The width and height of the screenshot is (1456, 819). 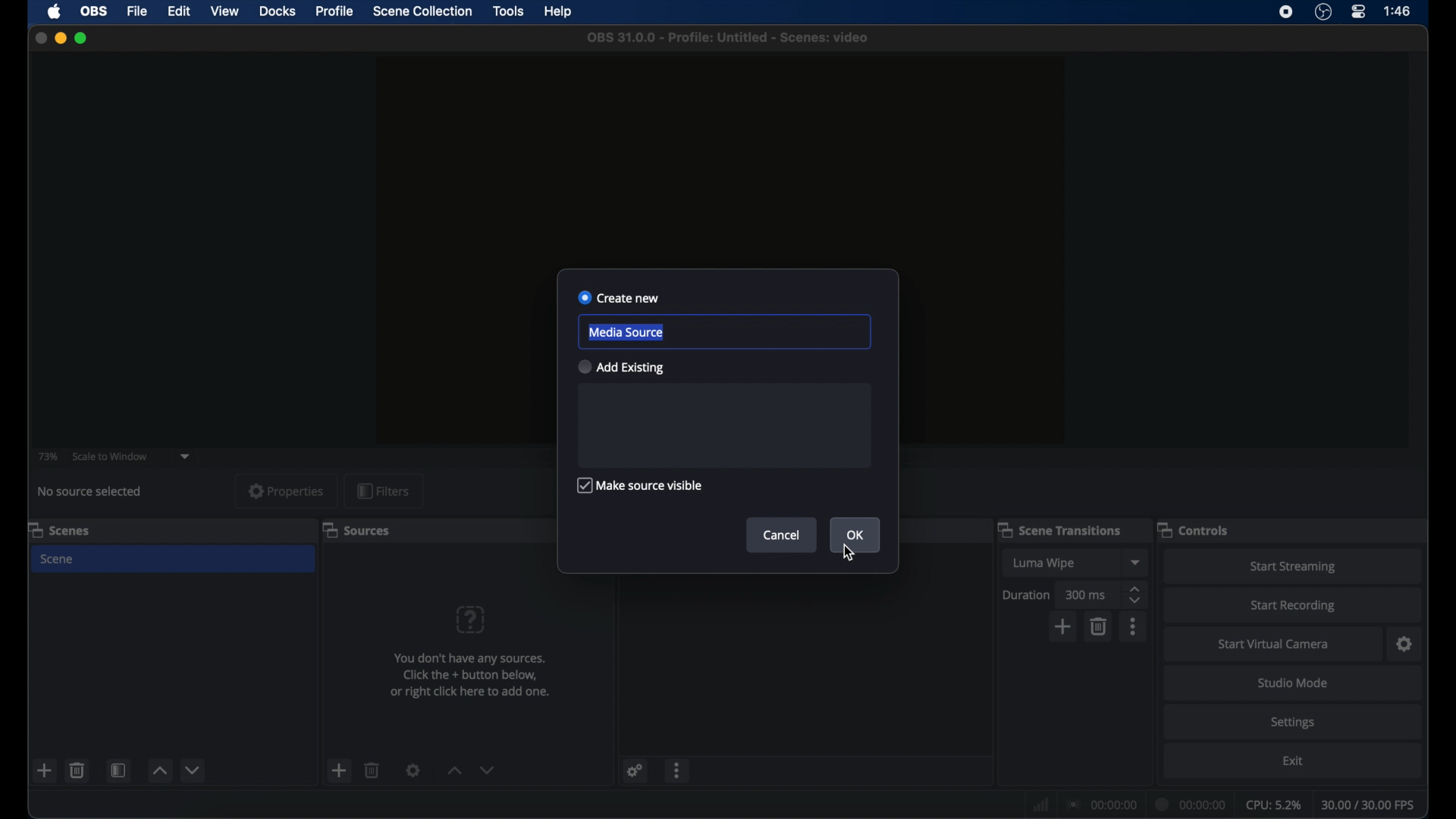 I want to click on help, so click(x=560, y=13).